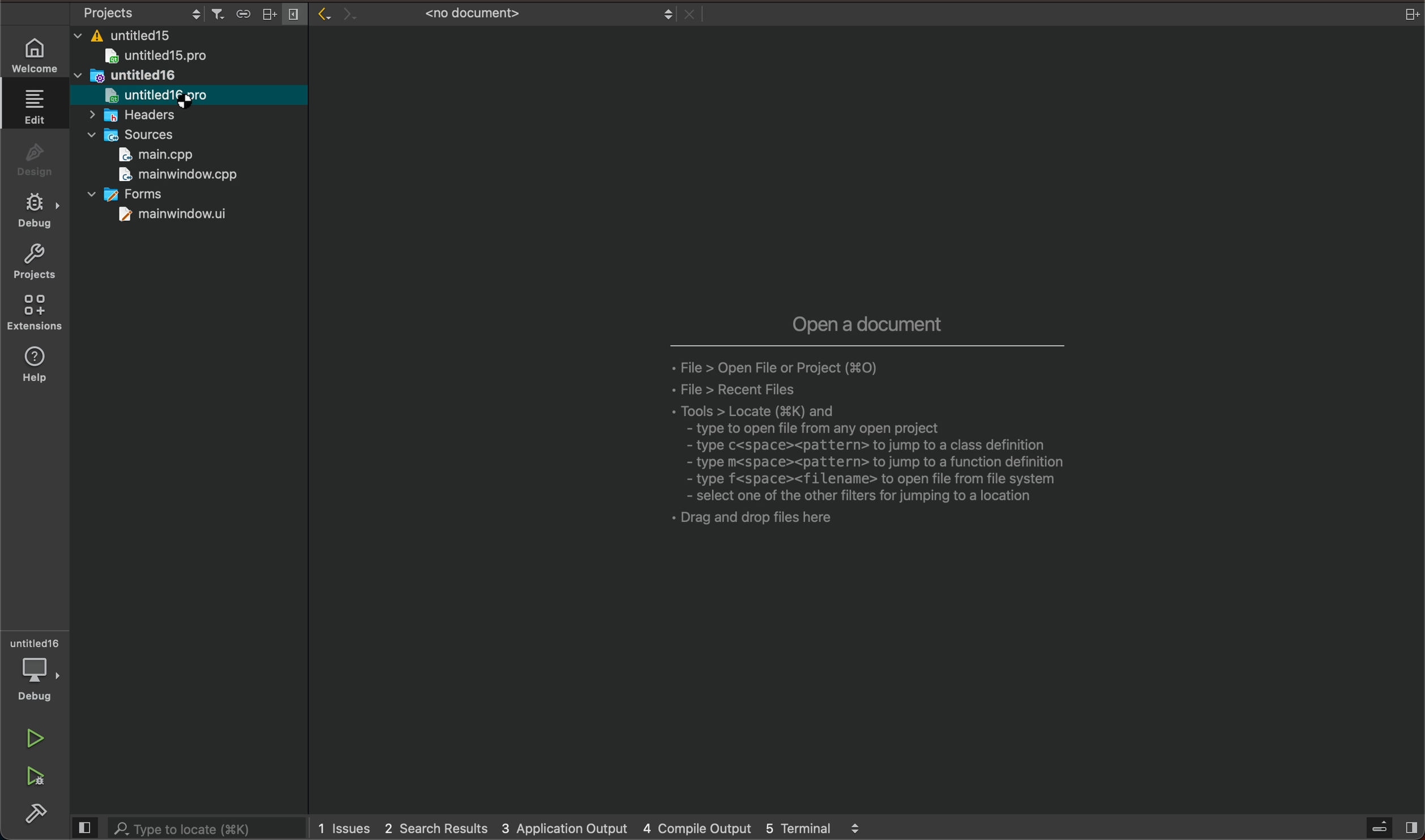 The image size is (1425, 840). I want to click on open a document, so click(818, 402).